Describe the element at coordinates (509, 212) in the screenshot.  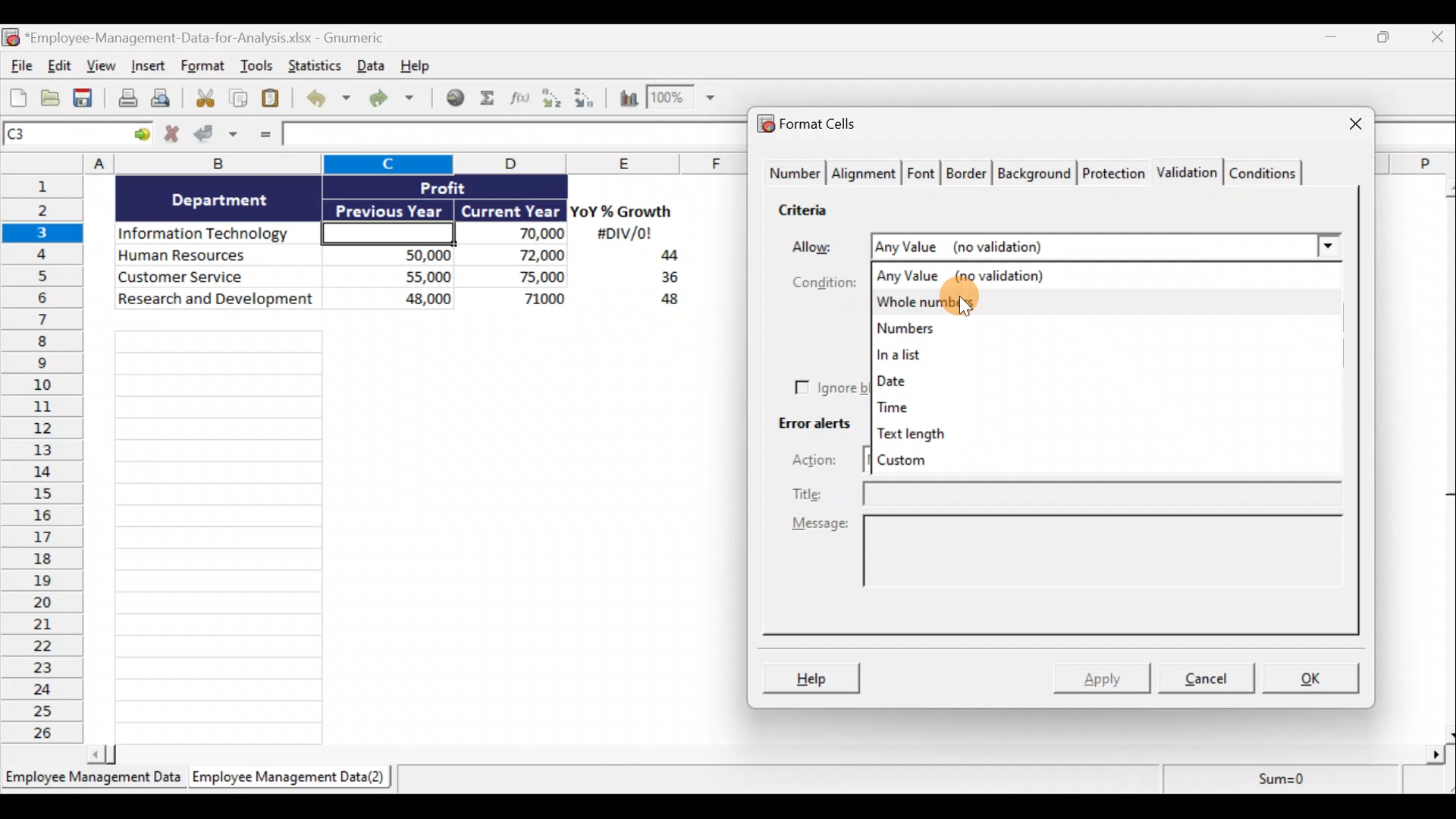
I see `Current Year` at that location.